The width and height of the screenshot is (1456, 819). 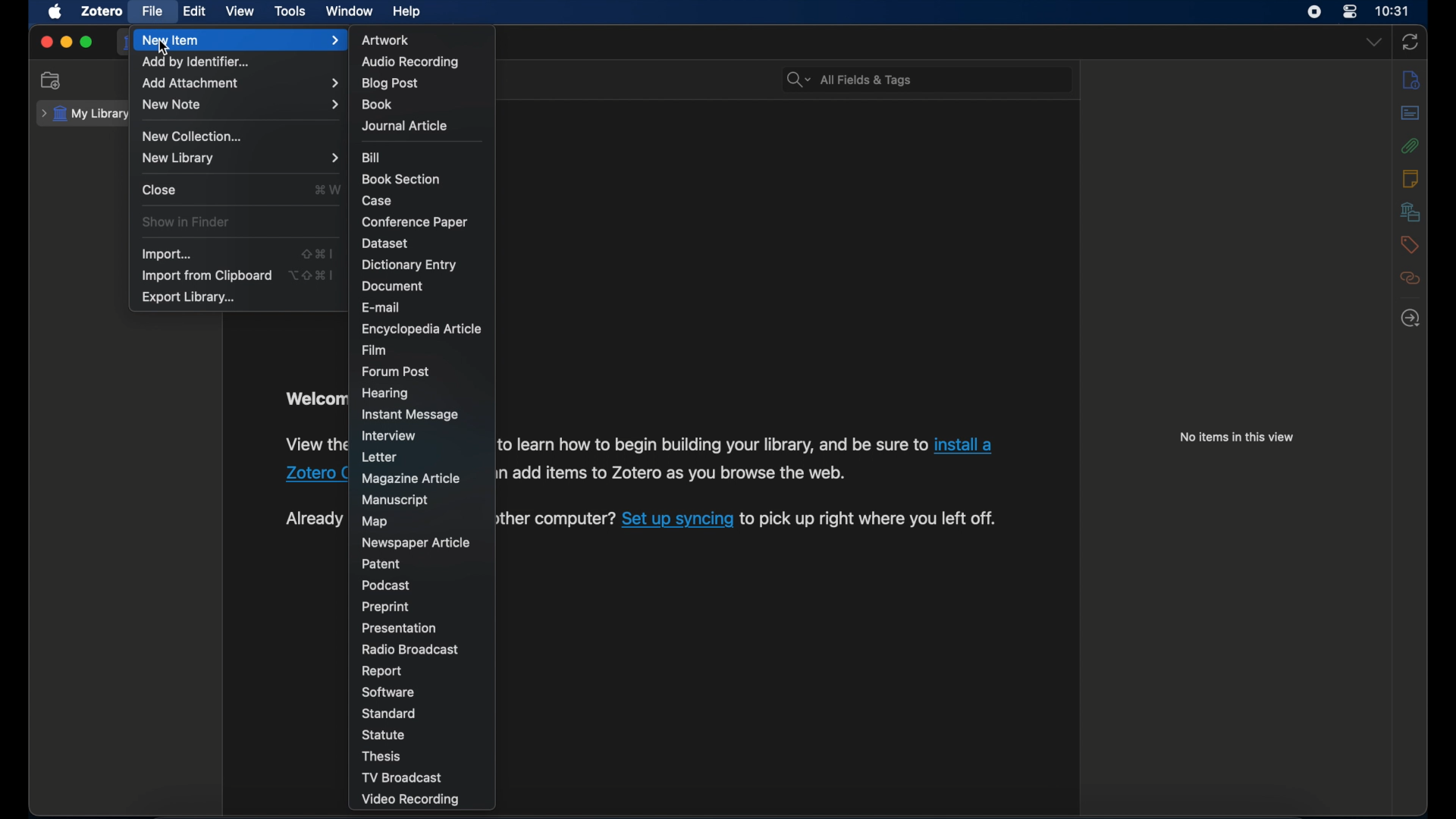 I want to click on video recording, so click(x=409, y=801).